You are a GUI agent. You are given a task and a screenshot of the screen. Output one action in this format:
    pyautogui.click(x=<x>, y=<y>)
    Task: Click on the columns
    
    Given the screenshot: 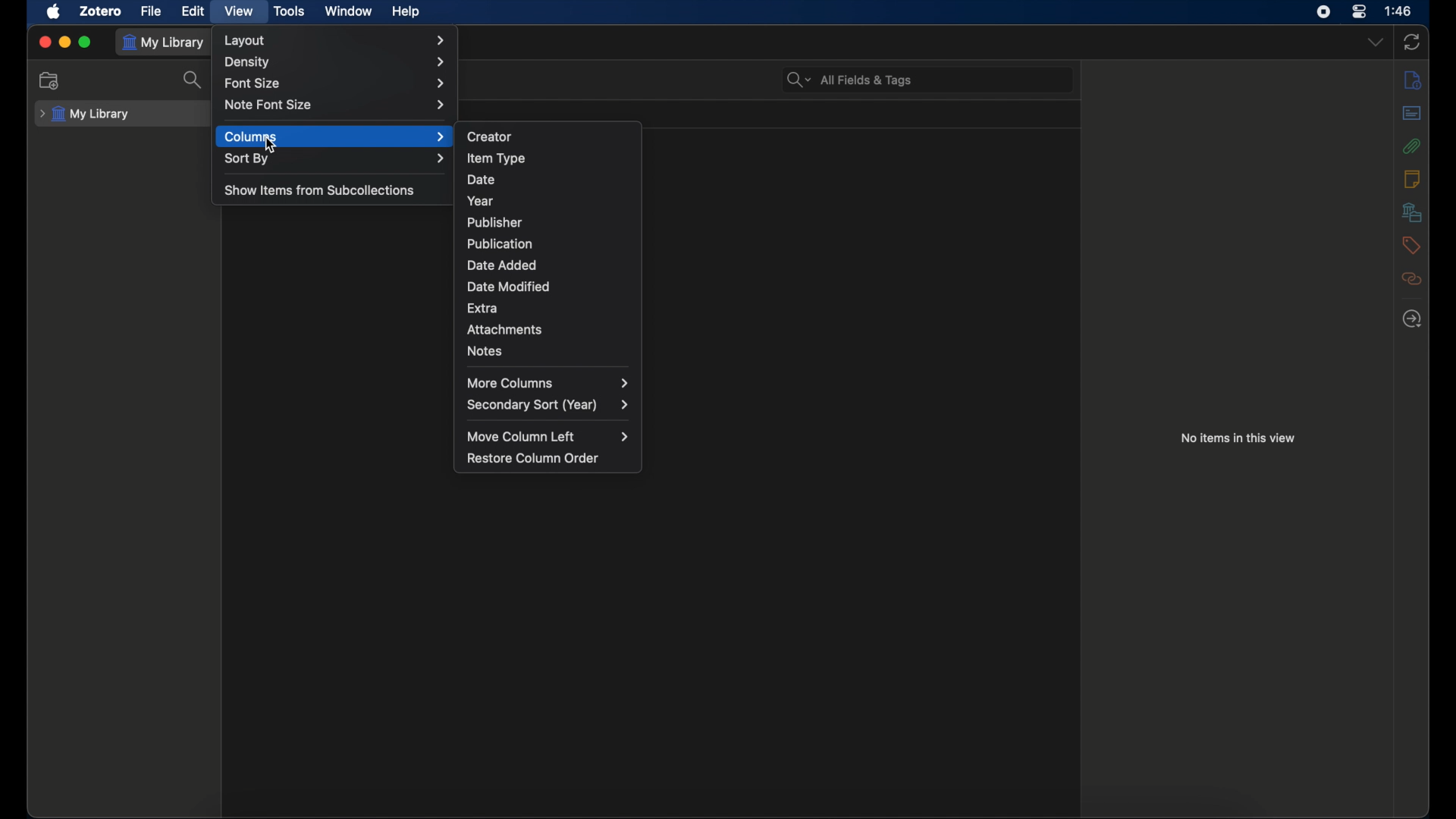 What is the action you would take?
    pyautogui.click(x=334, y=137)
    